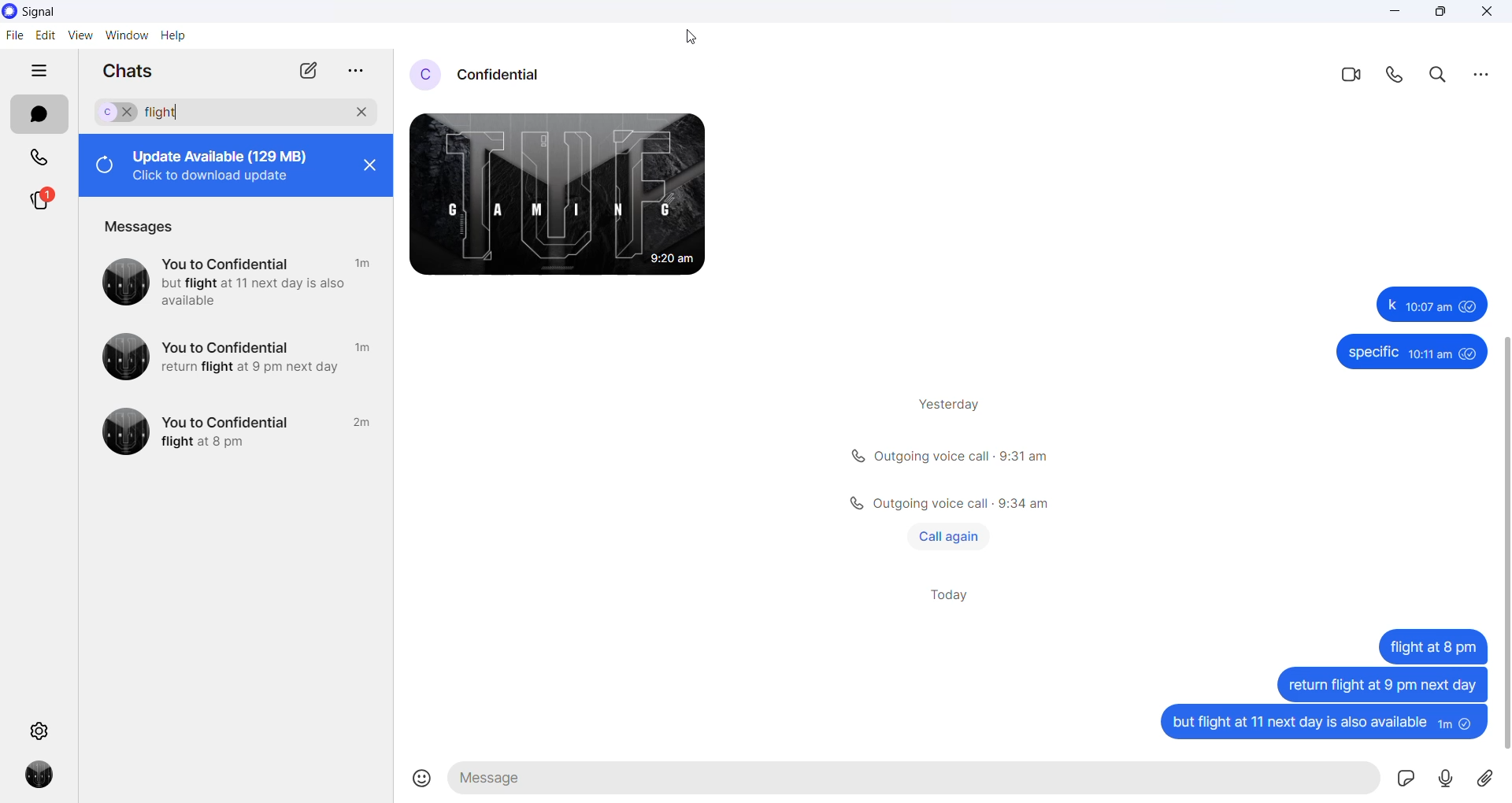 The height and width of the screenshot is (803, 1512). I want to click on today heading, so click(952, 599).